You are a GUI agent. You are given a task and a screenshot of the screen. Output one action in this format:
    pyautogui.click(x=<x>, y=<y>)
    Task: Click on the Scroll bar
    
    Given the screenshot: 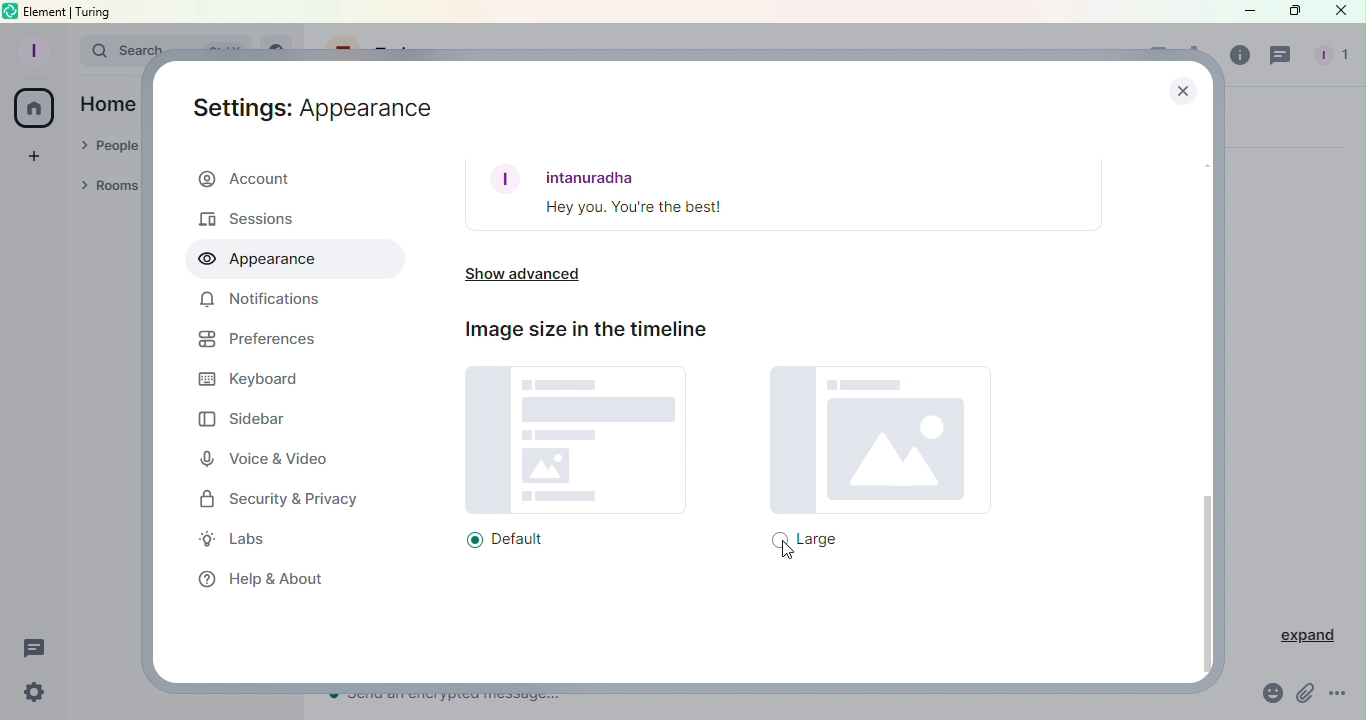 What is the action you would take?
    pyautogui.click(x=1209, y=406)
    